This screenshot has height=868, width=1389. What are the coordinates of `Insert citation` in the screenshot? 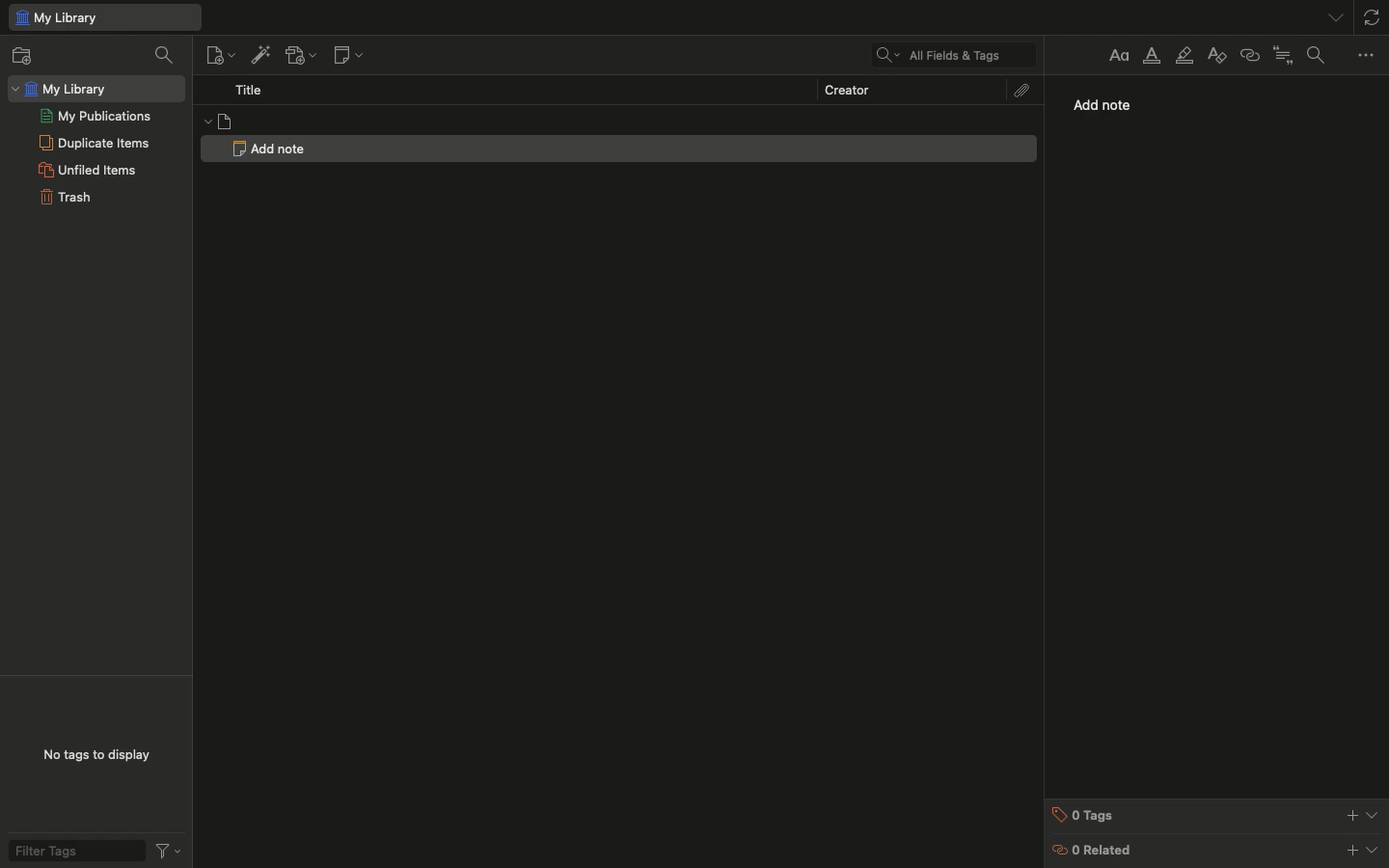 It's located at (1284, 55).